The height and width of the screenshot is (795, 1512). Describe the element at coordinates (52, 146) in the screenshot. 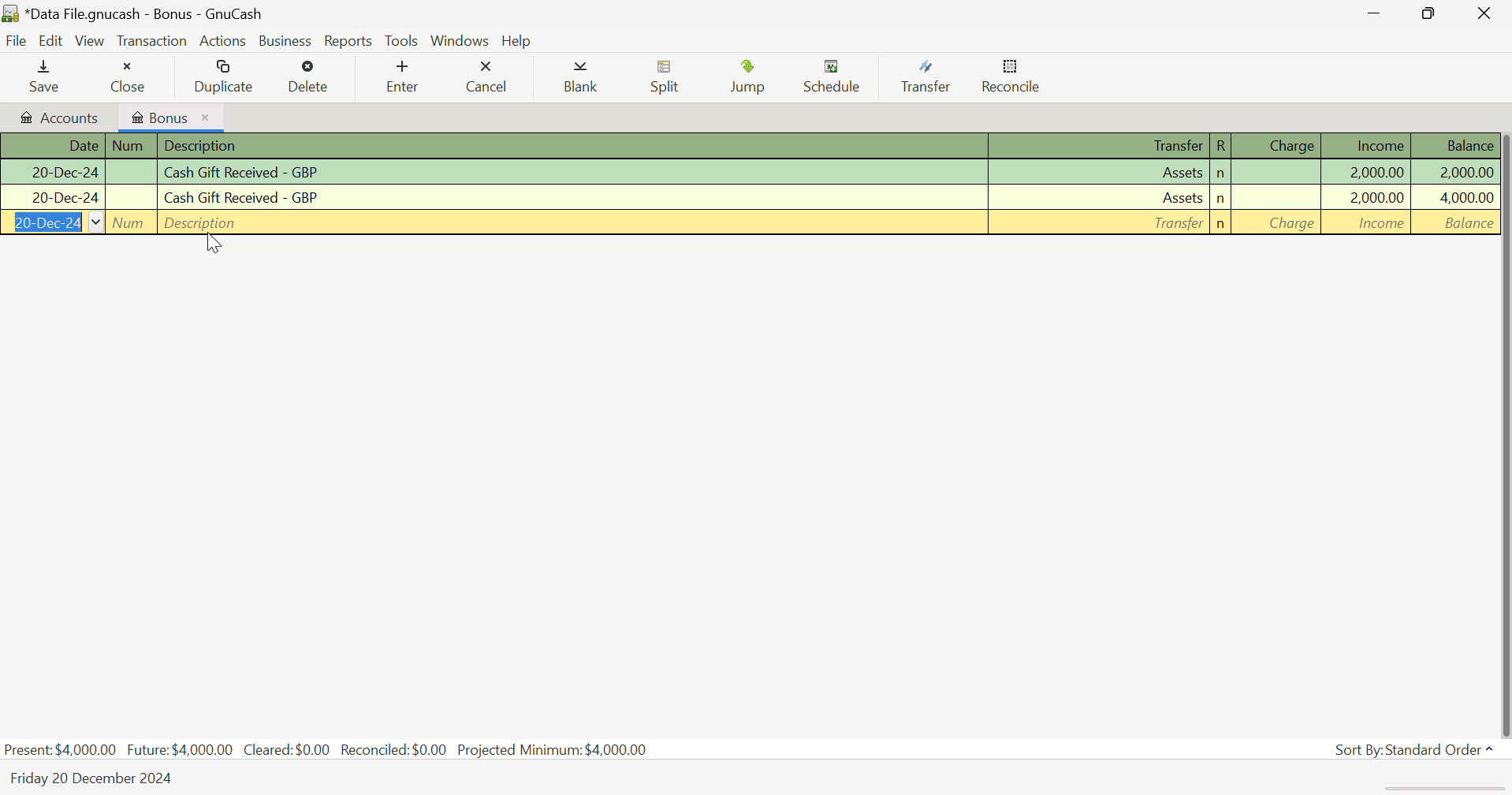

I see `Date` at that location.